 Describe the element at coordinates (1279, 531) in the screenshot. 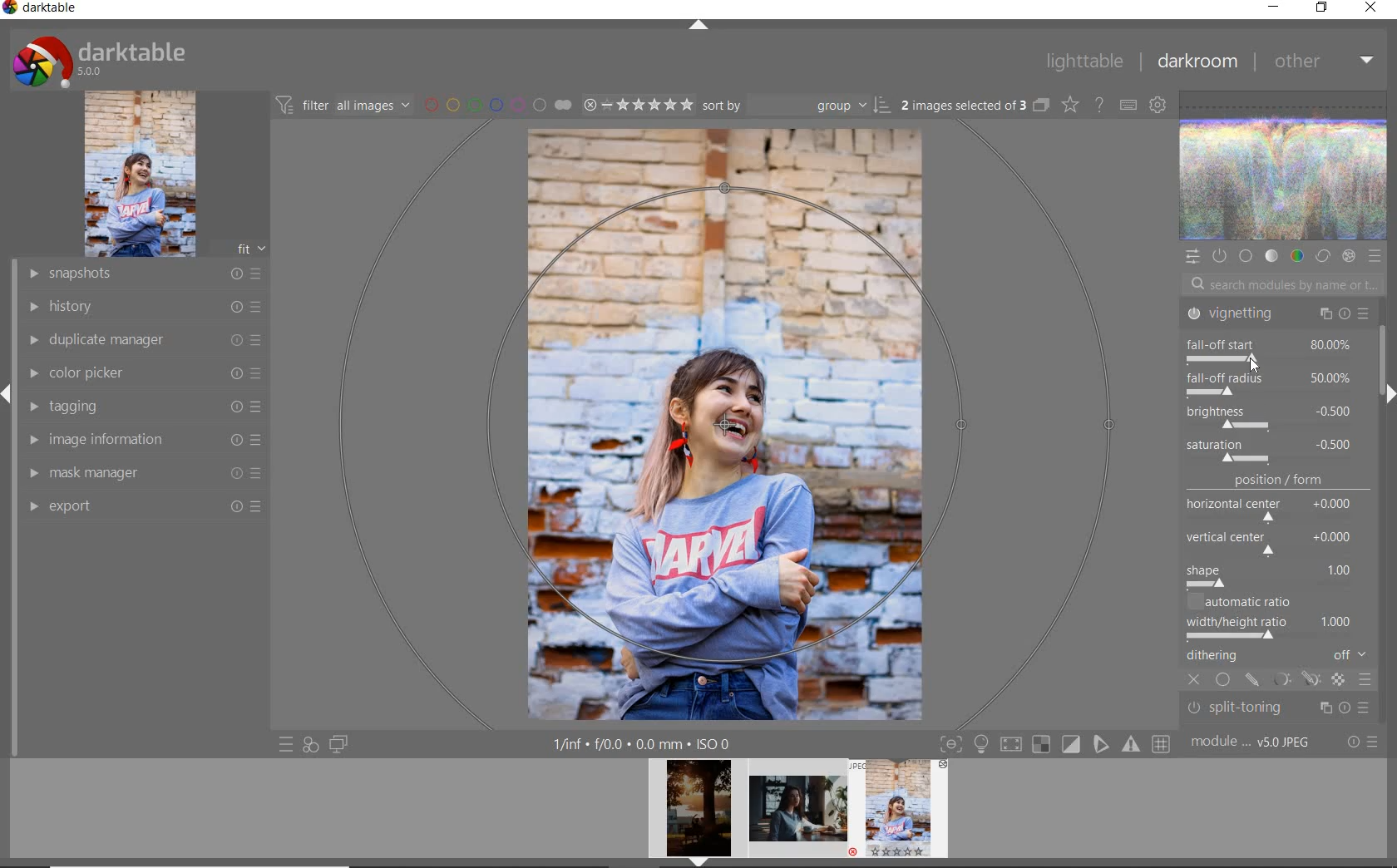

I see `position/form` at that location.